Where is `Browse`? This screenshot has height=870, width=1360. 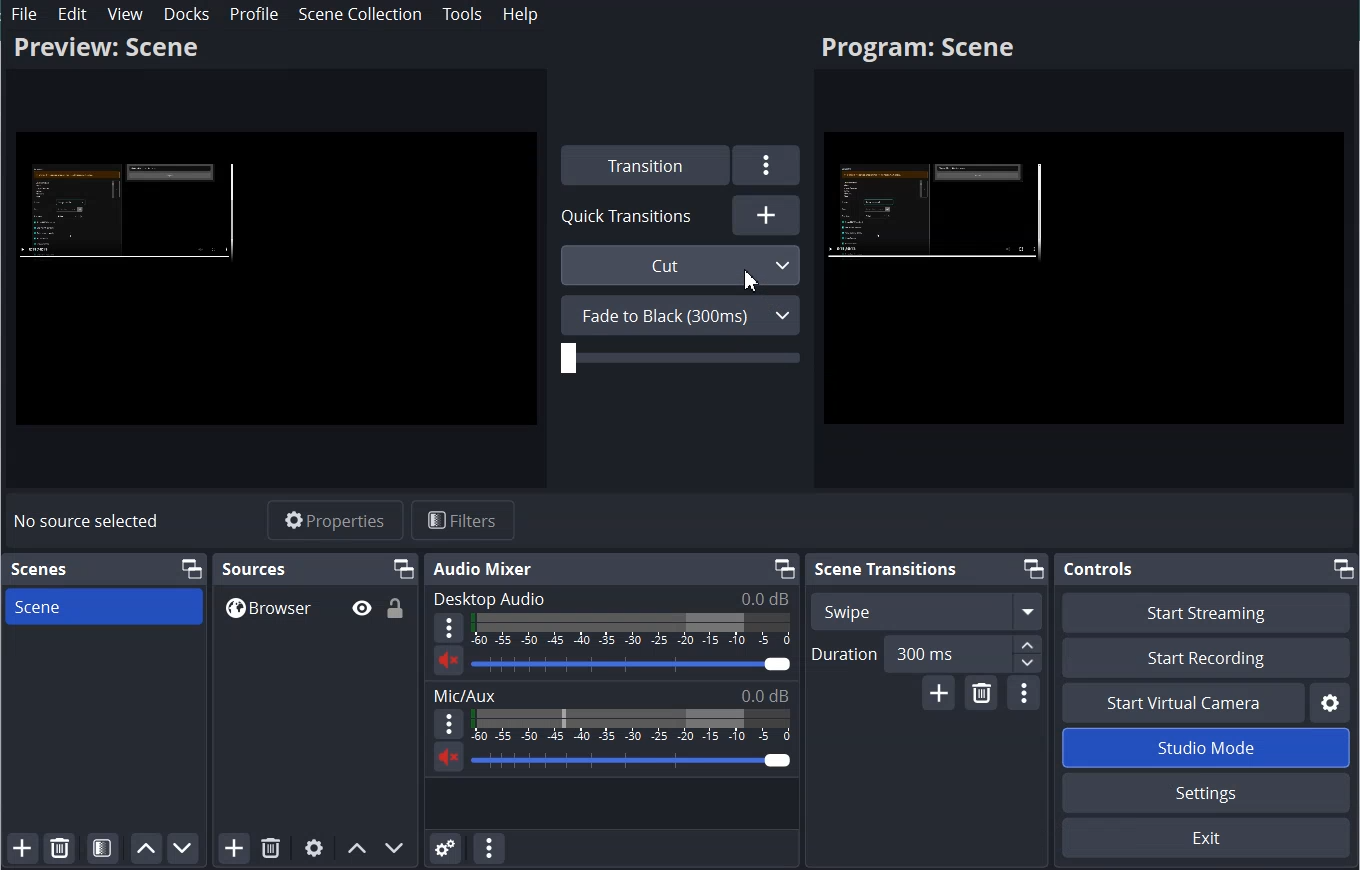 Browse is located at coordinates (315, 607).